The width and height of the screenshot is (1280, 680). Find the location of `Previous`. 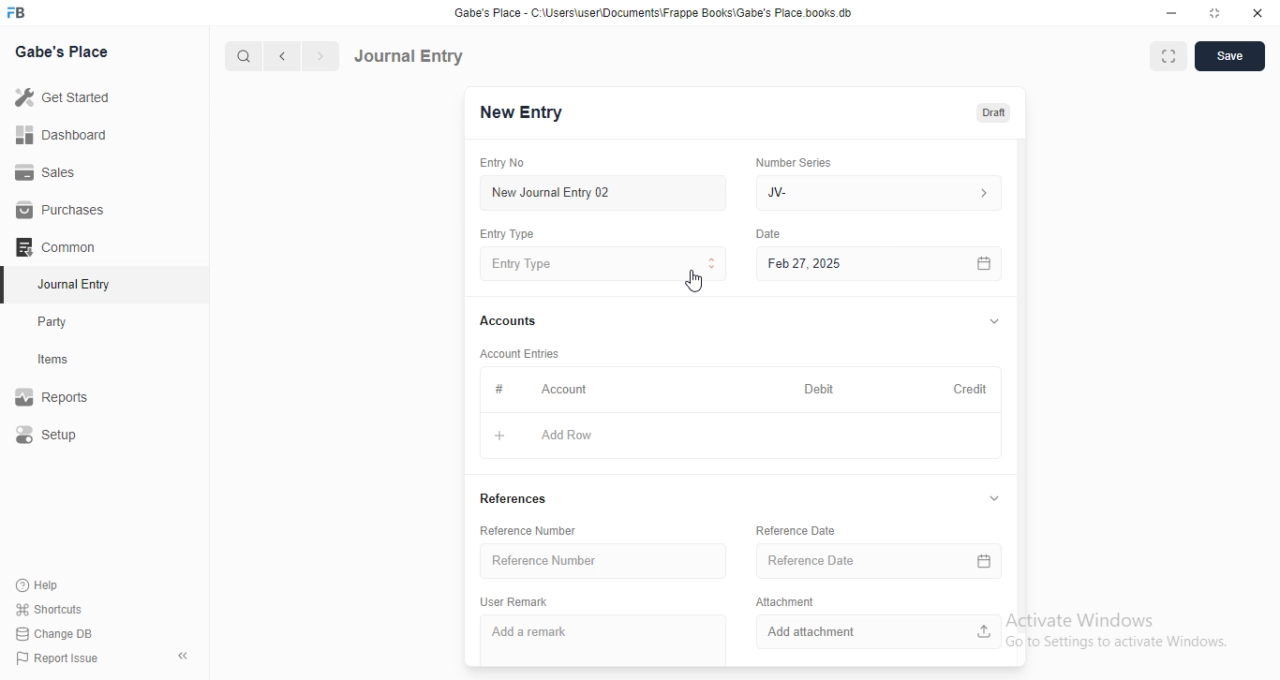

Previous is located at coordinates (283, 57).